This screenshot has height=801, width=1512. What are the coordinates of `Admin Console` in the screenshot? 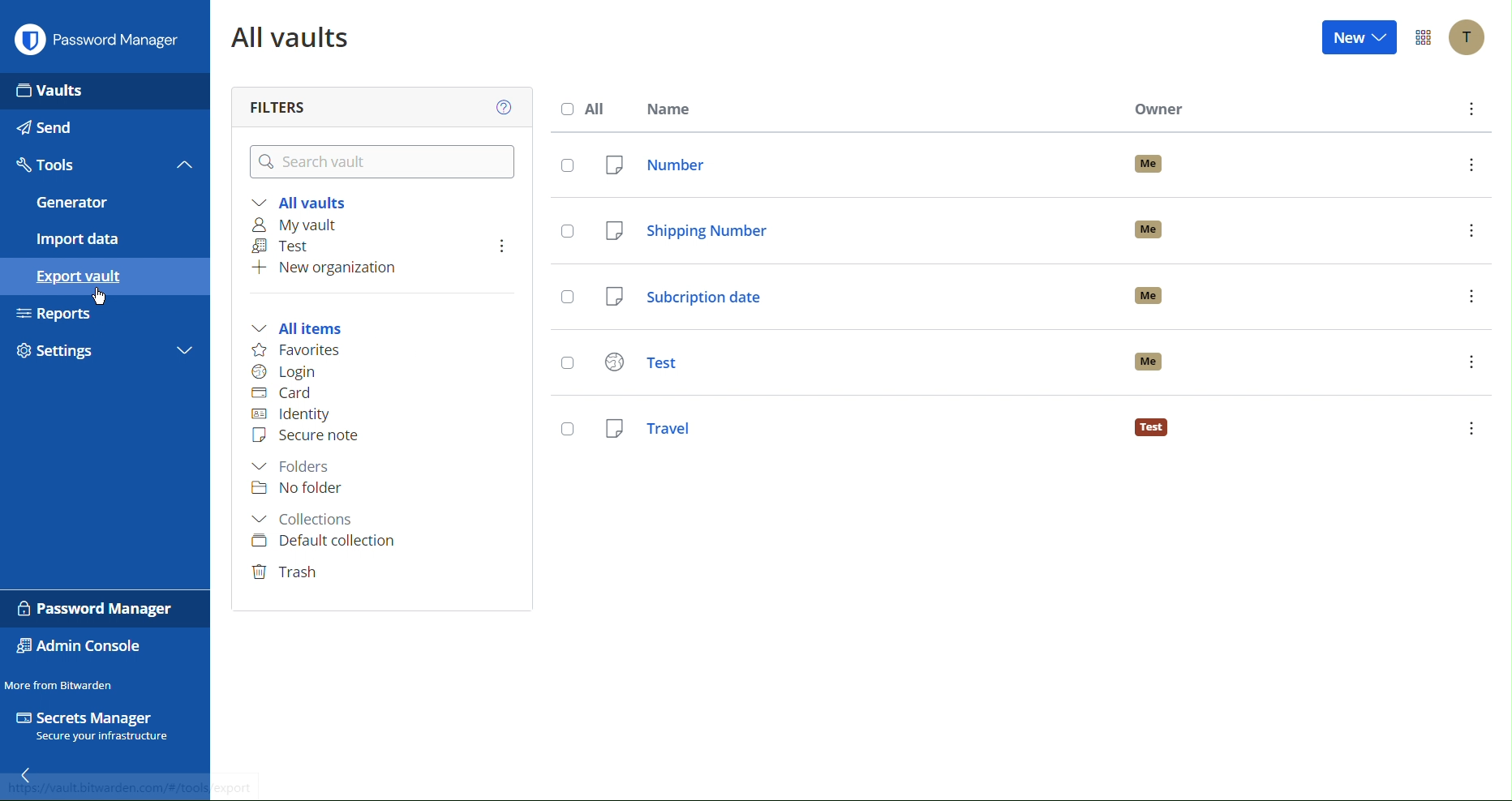 It's located at (85, 647).